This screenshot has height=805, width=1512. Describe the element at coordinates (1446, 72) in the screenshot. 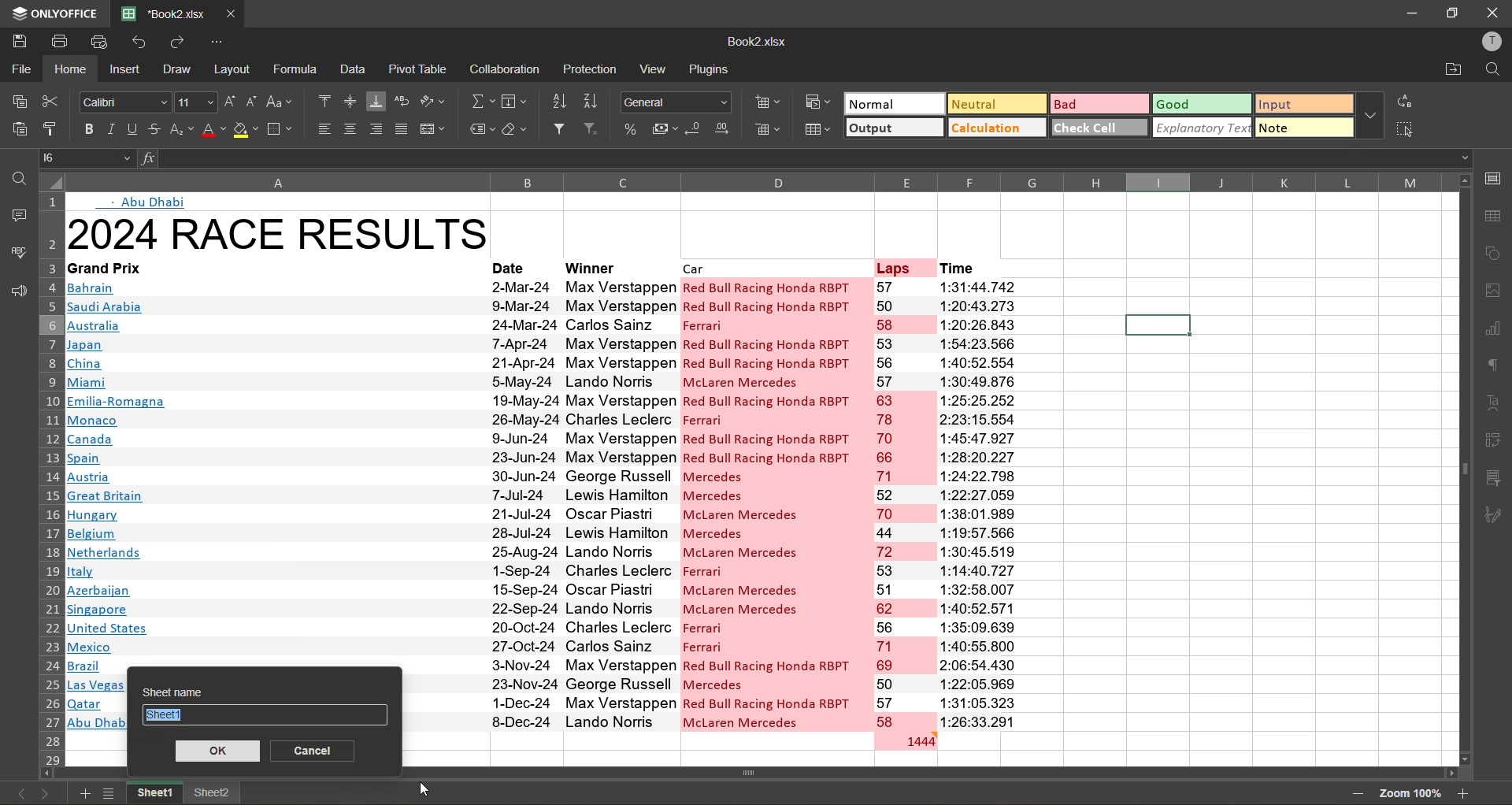

I see `open location` at that location.